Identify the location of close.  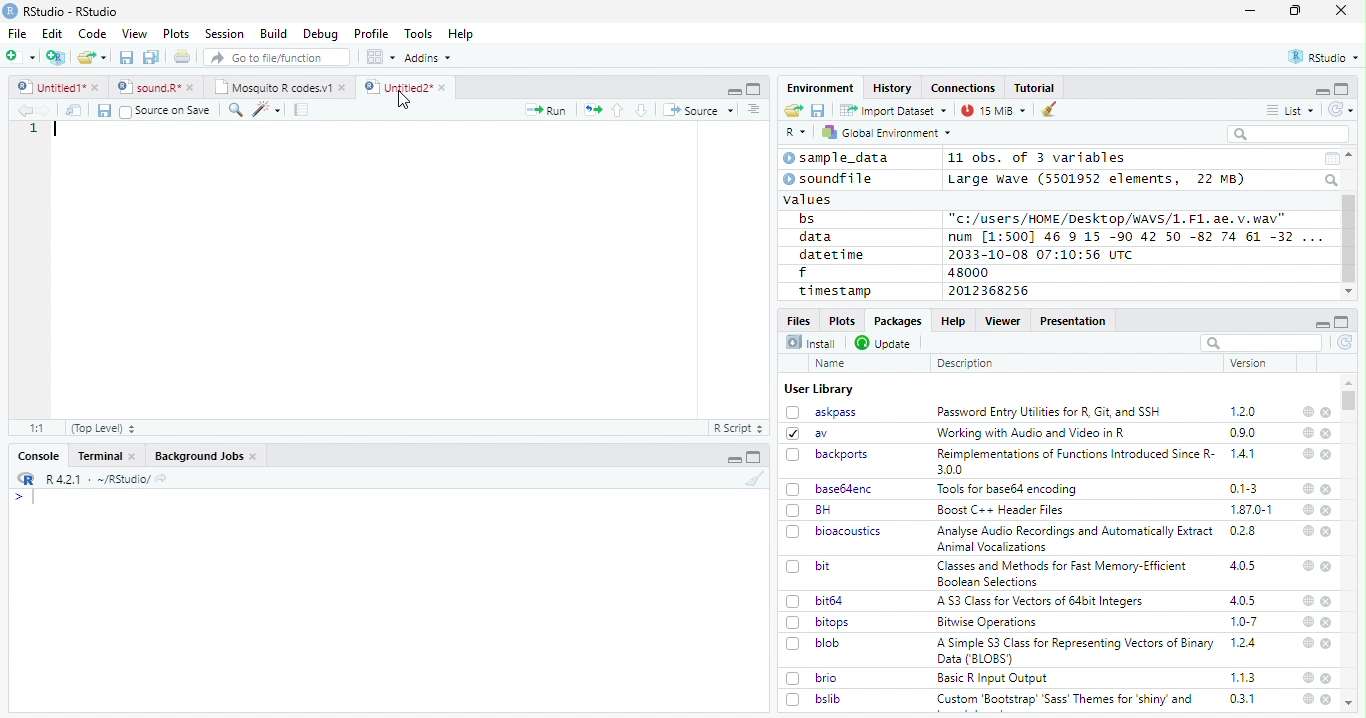
(1327, 434).